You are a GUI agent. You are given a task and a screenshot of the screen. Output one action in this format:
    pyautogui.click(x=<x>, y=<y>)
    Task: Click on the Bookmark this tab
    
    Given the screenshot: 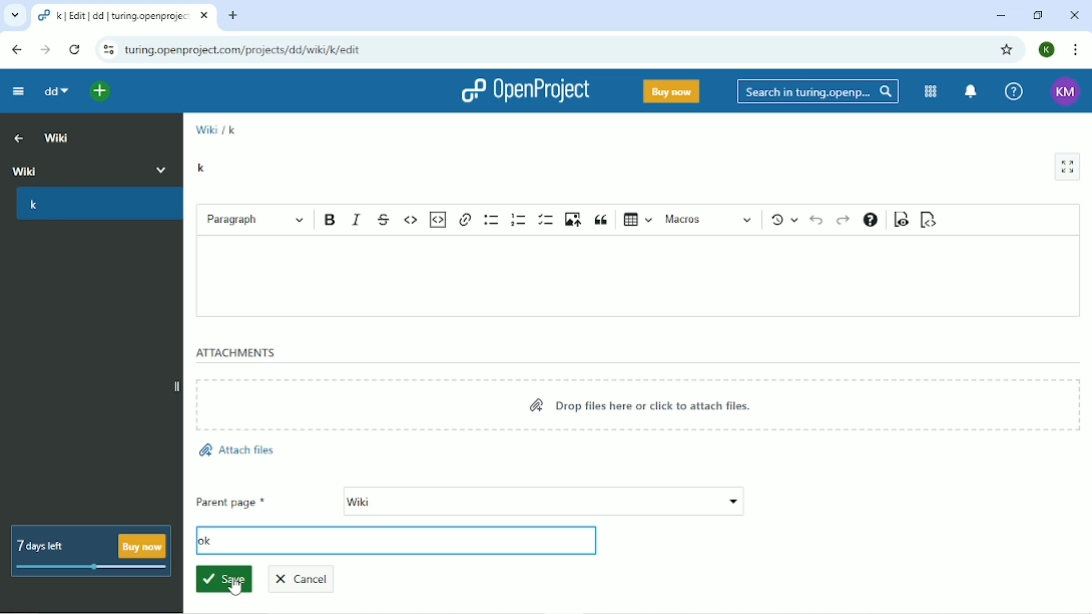 What is the action you would take?
    pyautogui.click(x=1009, y=50)
    